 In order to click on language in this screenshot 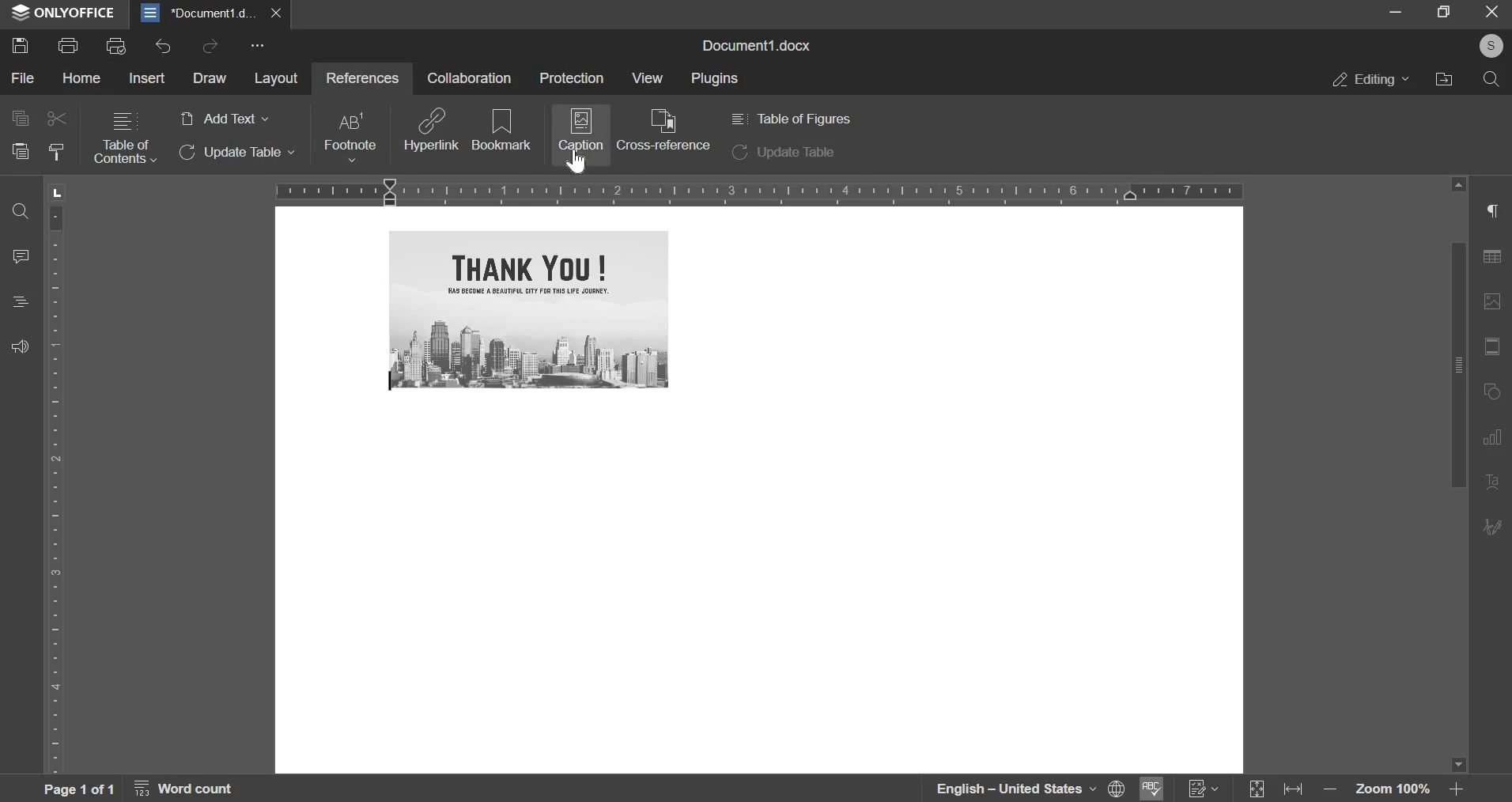, I will do `click(1004, 789)`.